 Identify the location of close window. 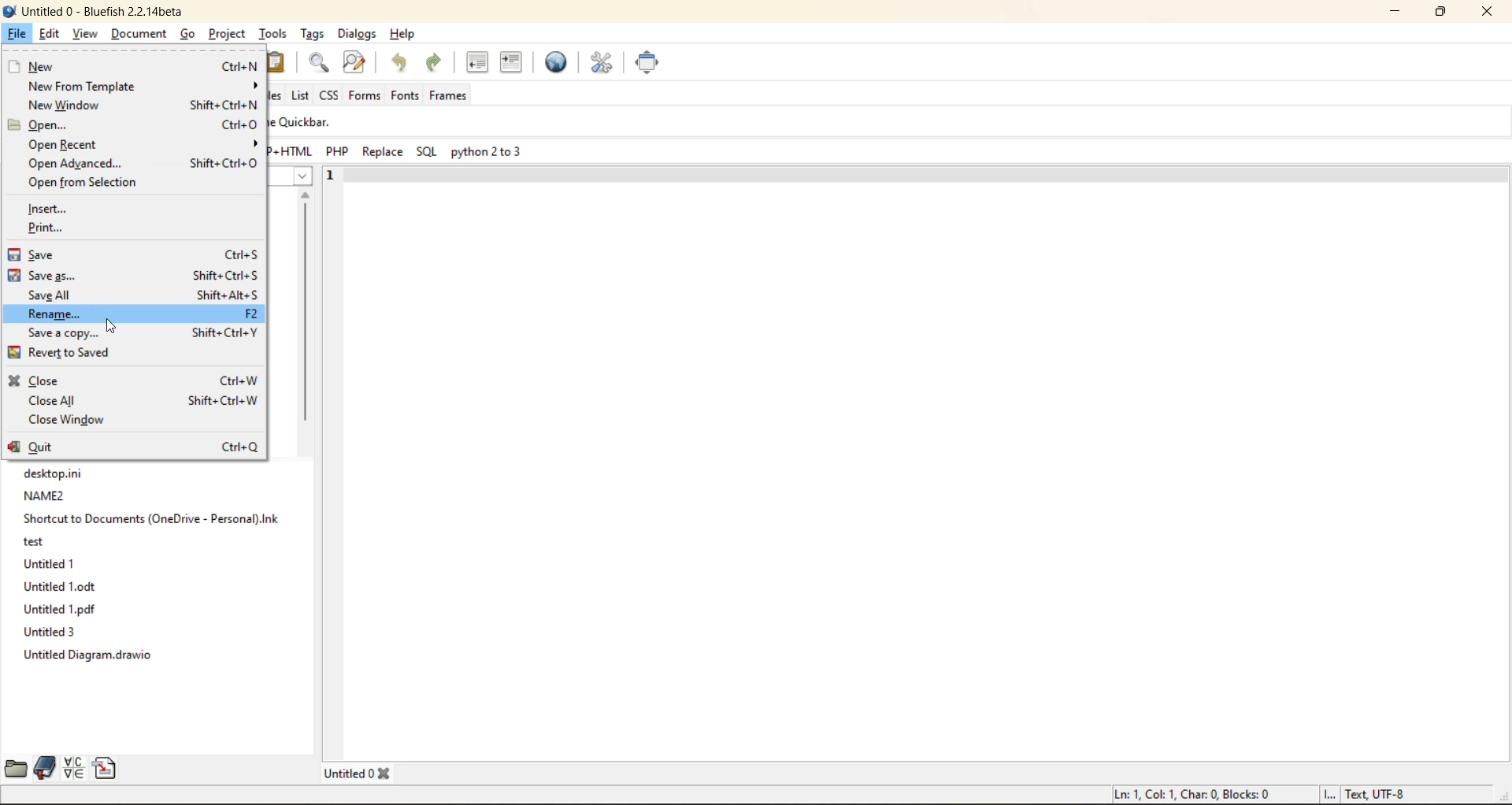
(65, 421).